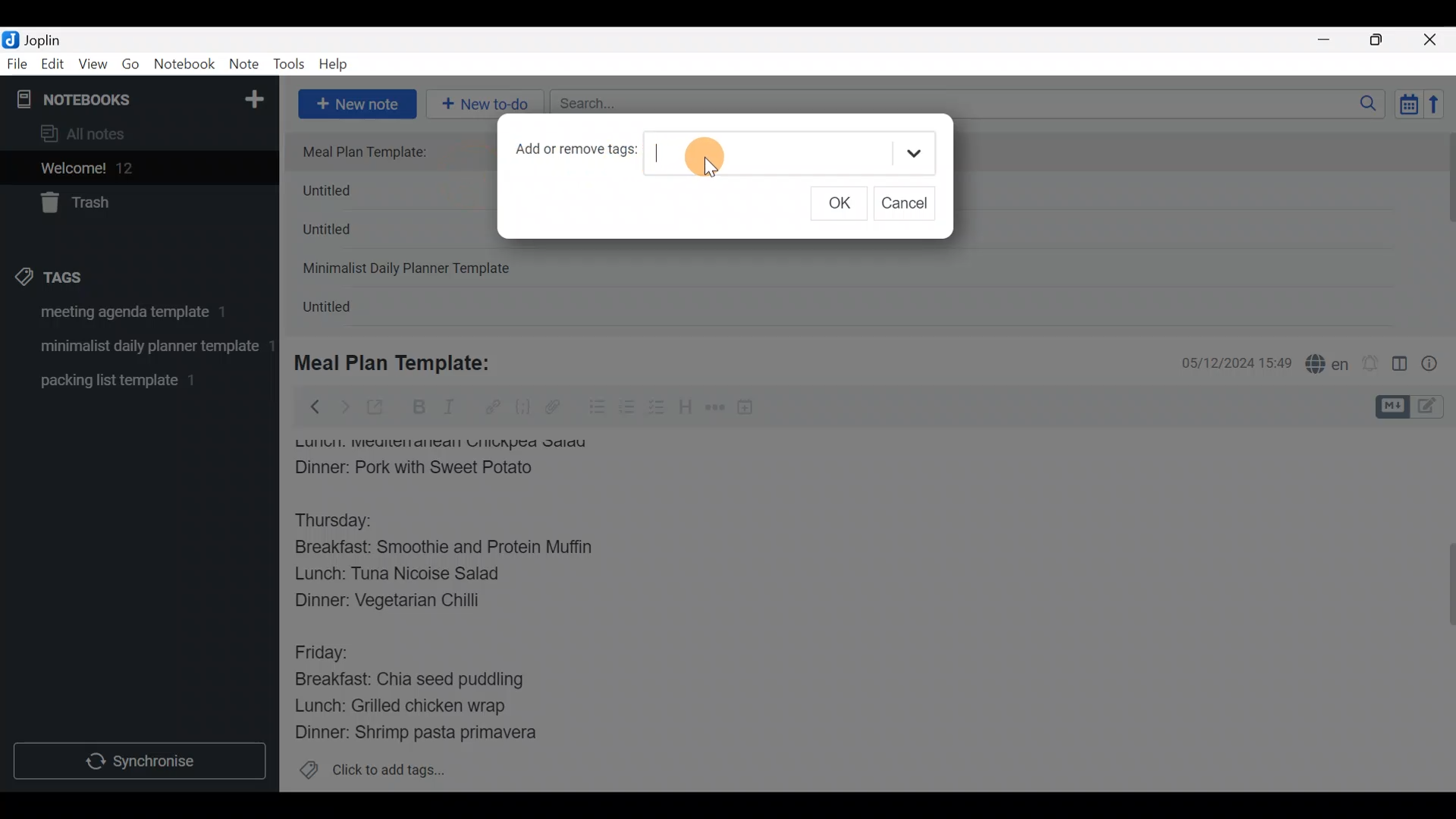 This screenshot has width=1456, height=819. What do you see at coordinates (309, 406) in the screenshot?
I see `Back` at bounding box center [309, 406].